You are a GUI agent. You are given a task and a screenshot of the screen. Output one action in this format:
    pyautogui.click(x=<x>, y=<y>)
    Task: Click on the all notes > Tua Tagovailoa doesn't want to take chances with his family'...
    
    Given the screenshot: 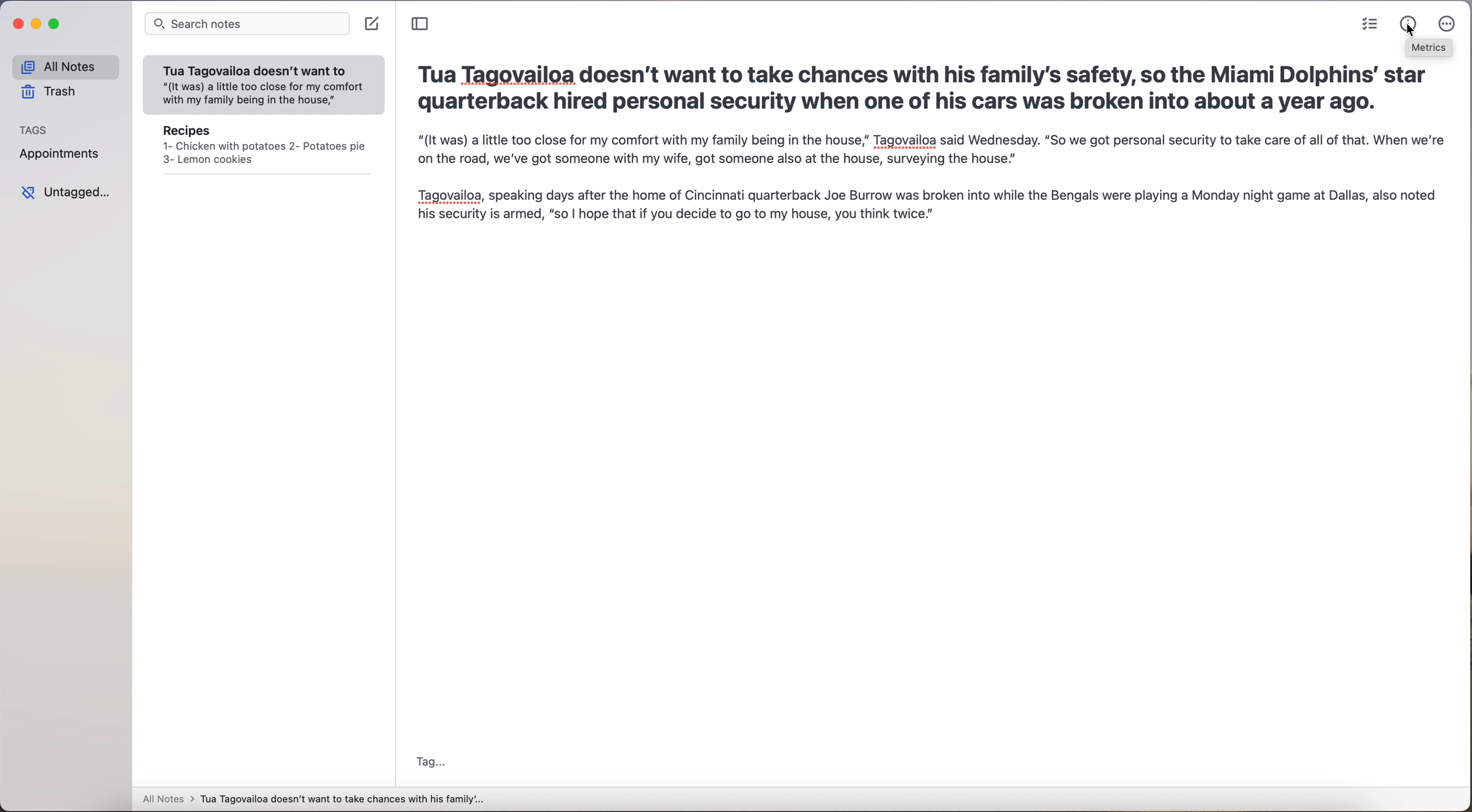 What is the action you would take?
    pyautogui.click(x=314, y=800)
    